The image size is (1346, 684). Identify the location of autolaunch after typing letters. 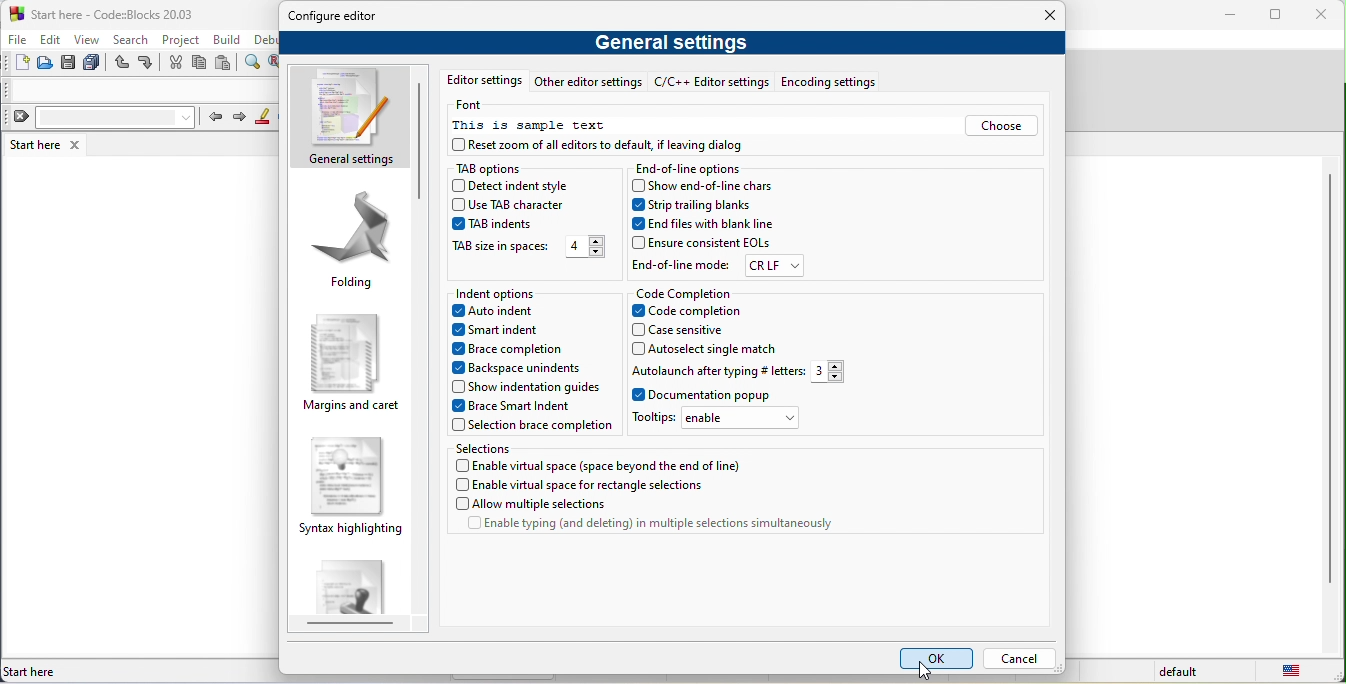
(740, 371).